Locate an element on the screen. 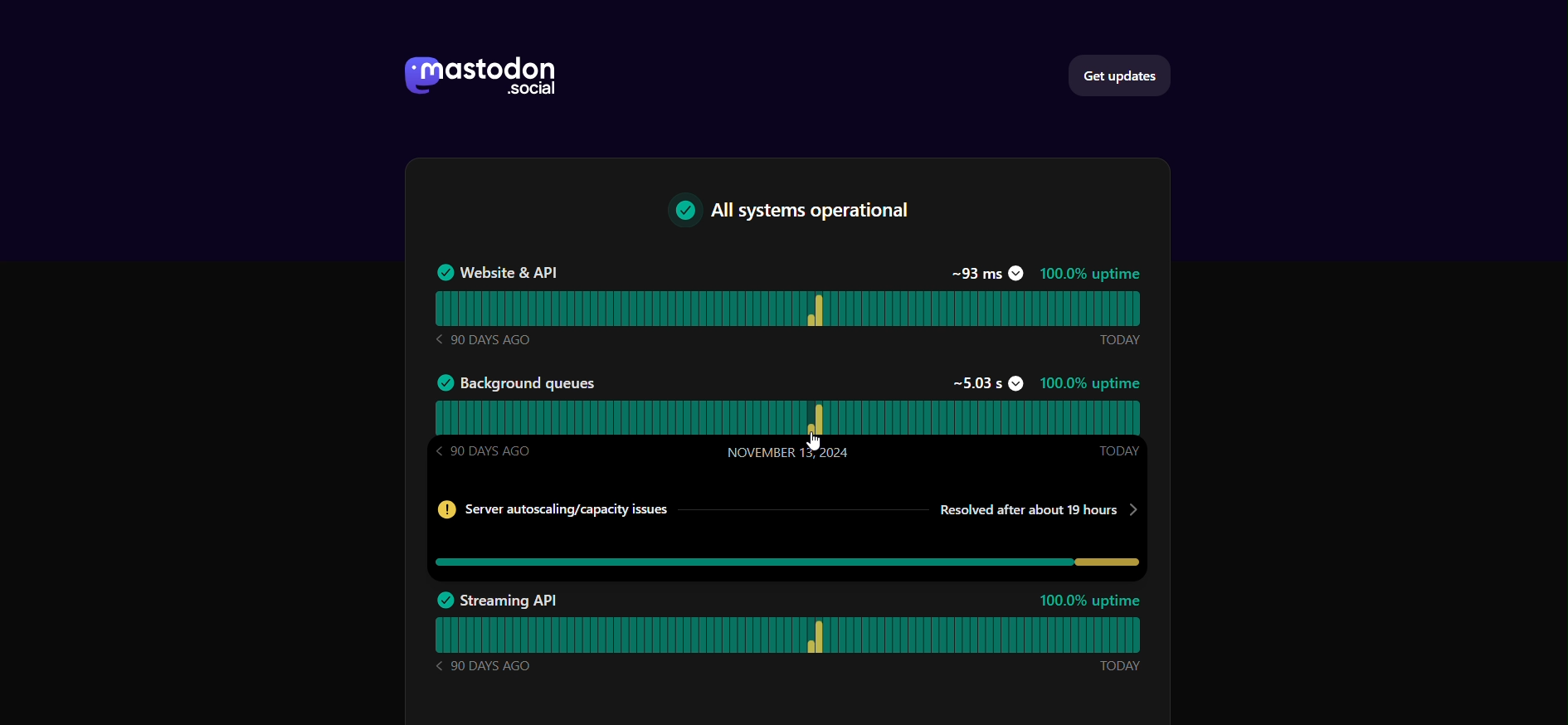 Image resolution: width=1568 pixels, height=725 pixels. 90 DAYS AGO is located at coordinates (486, 666).